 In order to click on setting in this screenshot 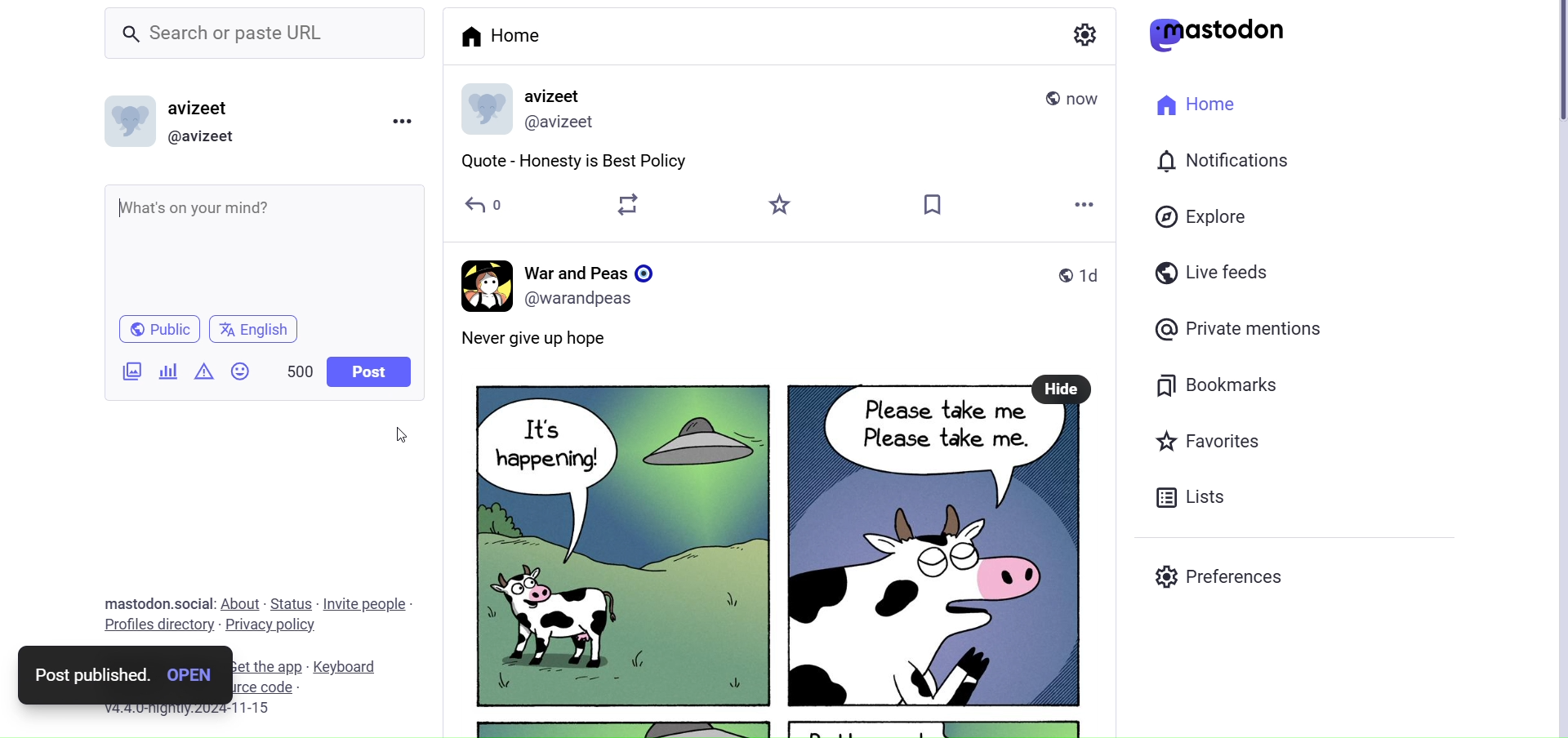, I will do `click(1084, 34)`.